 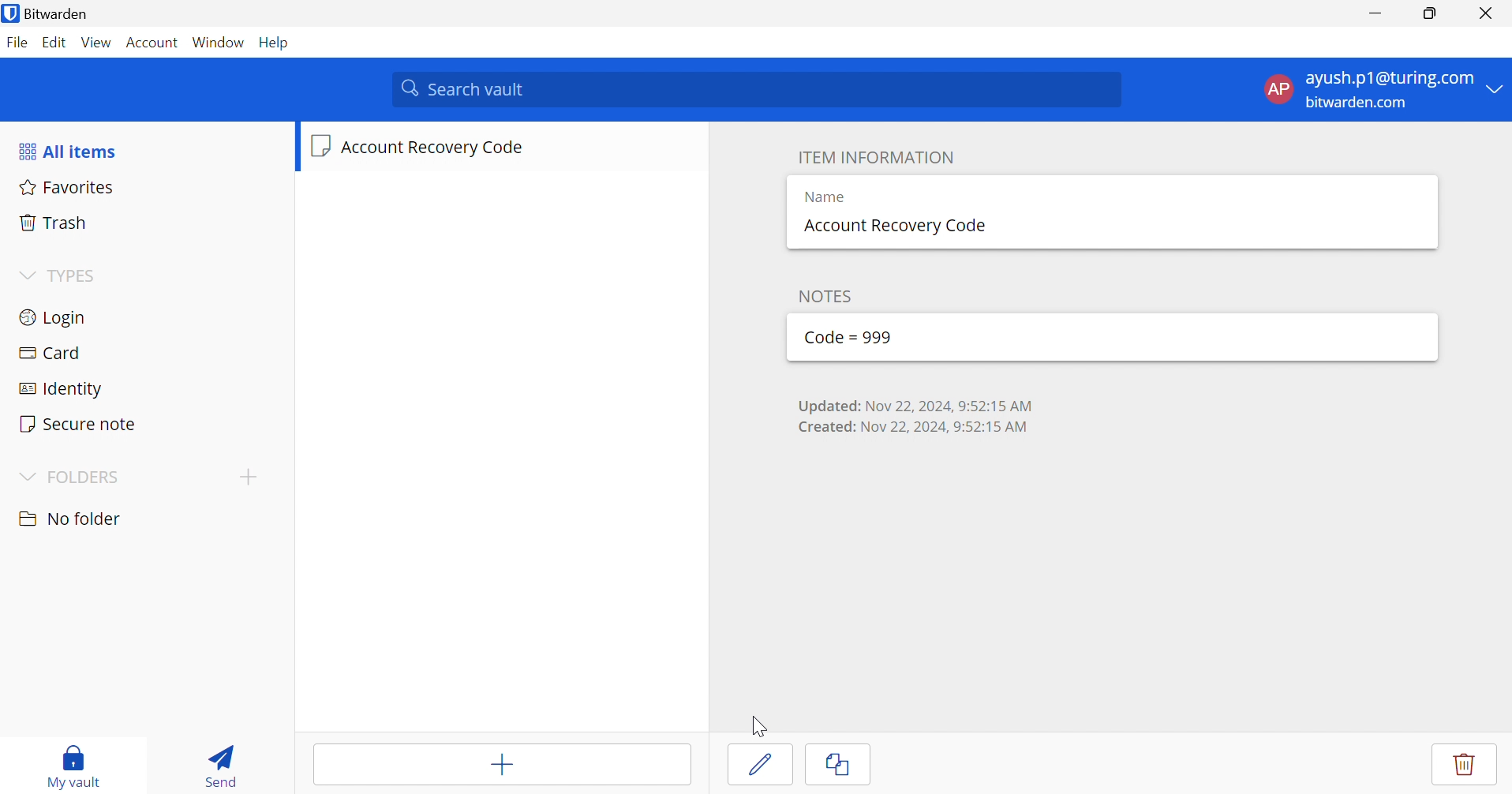 I want to click on Add item, so click(x=500, y=767).